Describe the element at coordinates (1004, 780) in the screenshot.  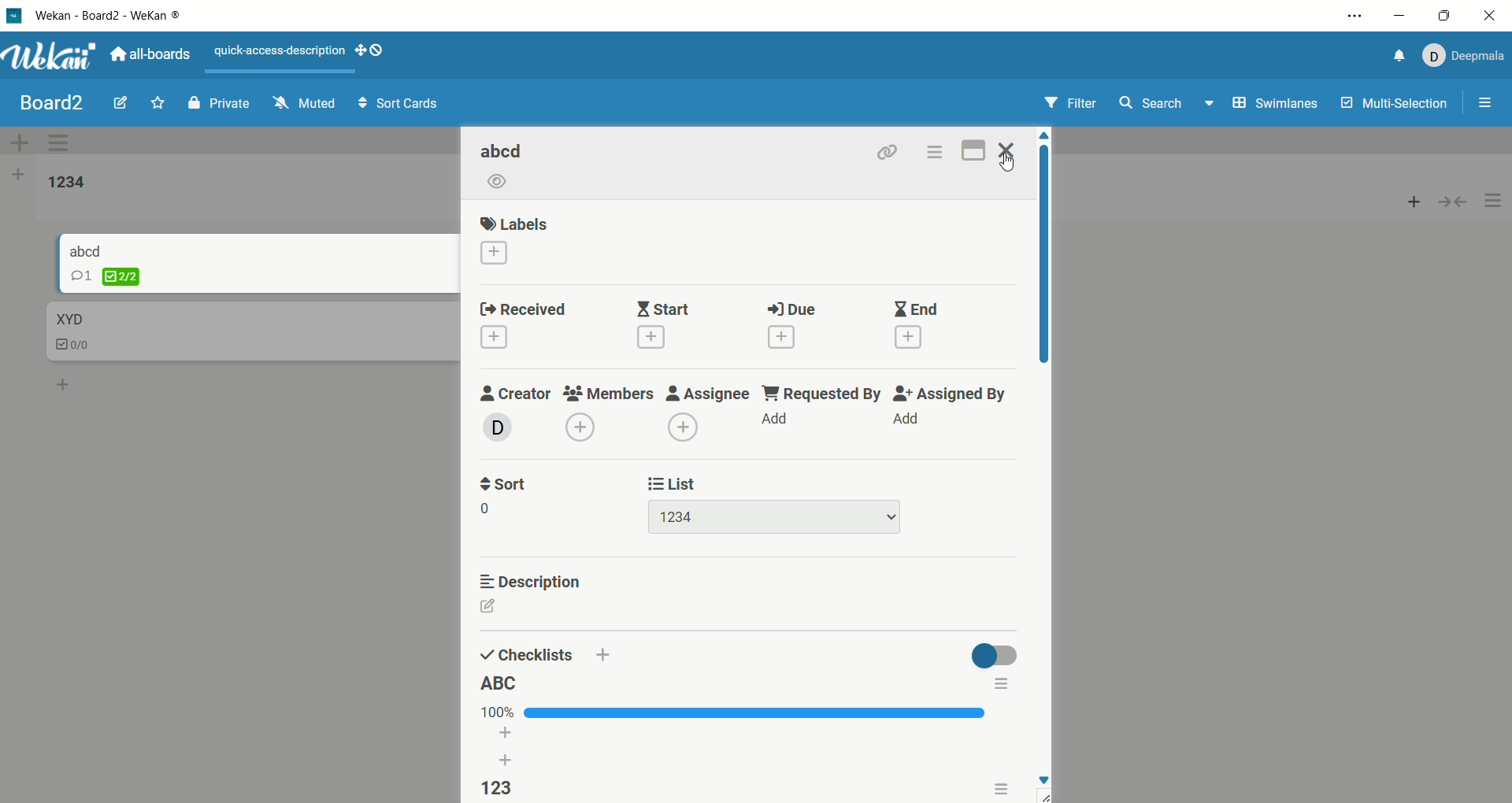
I see `options` at that location.